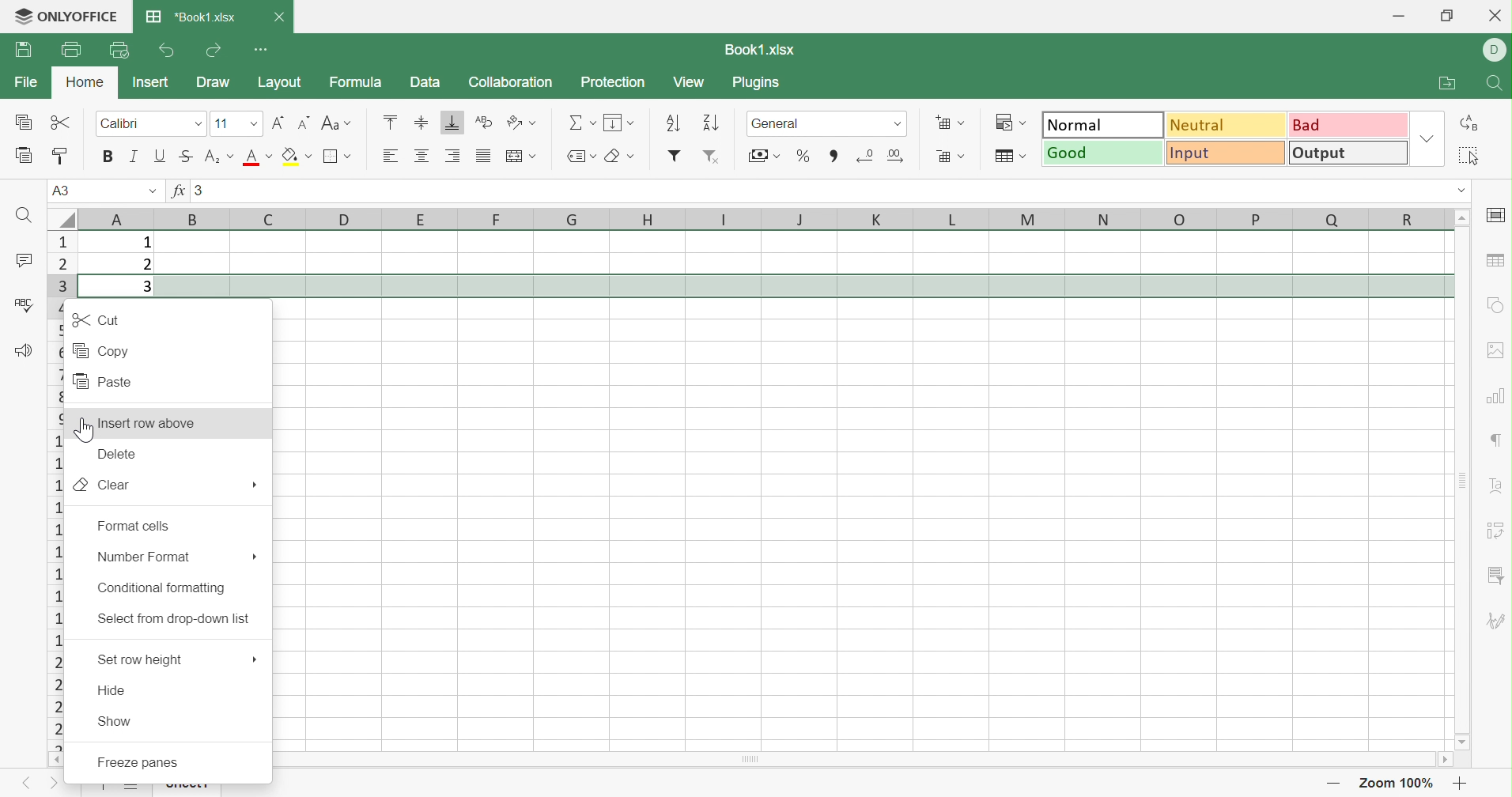  What do you see at coordinates (71, 50) in the screenshot?
I see `Print` at bounding box center [71, 50].